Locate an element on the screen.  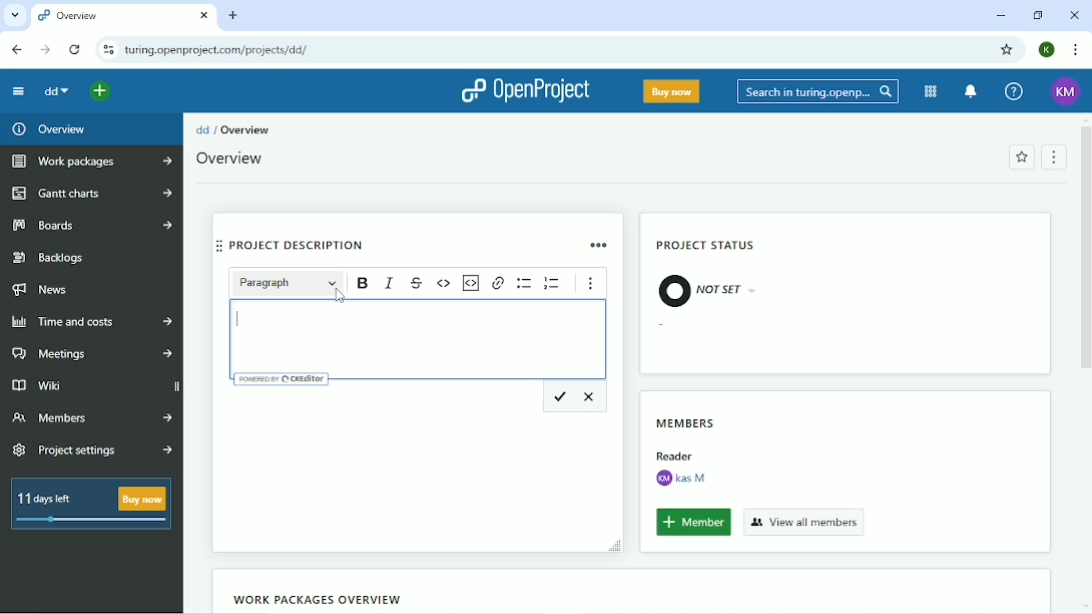
Show more items is located at coordinates (592, 285).